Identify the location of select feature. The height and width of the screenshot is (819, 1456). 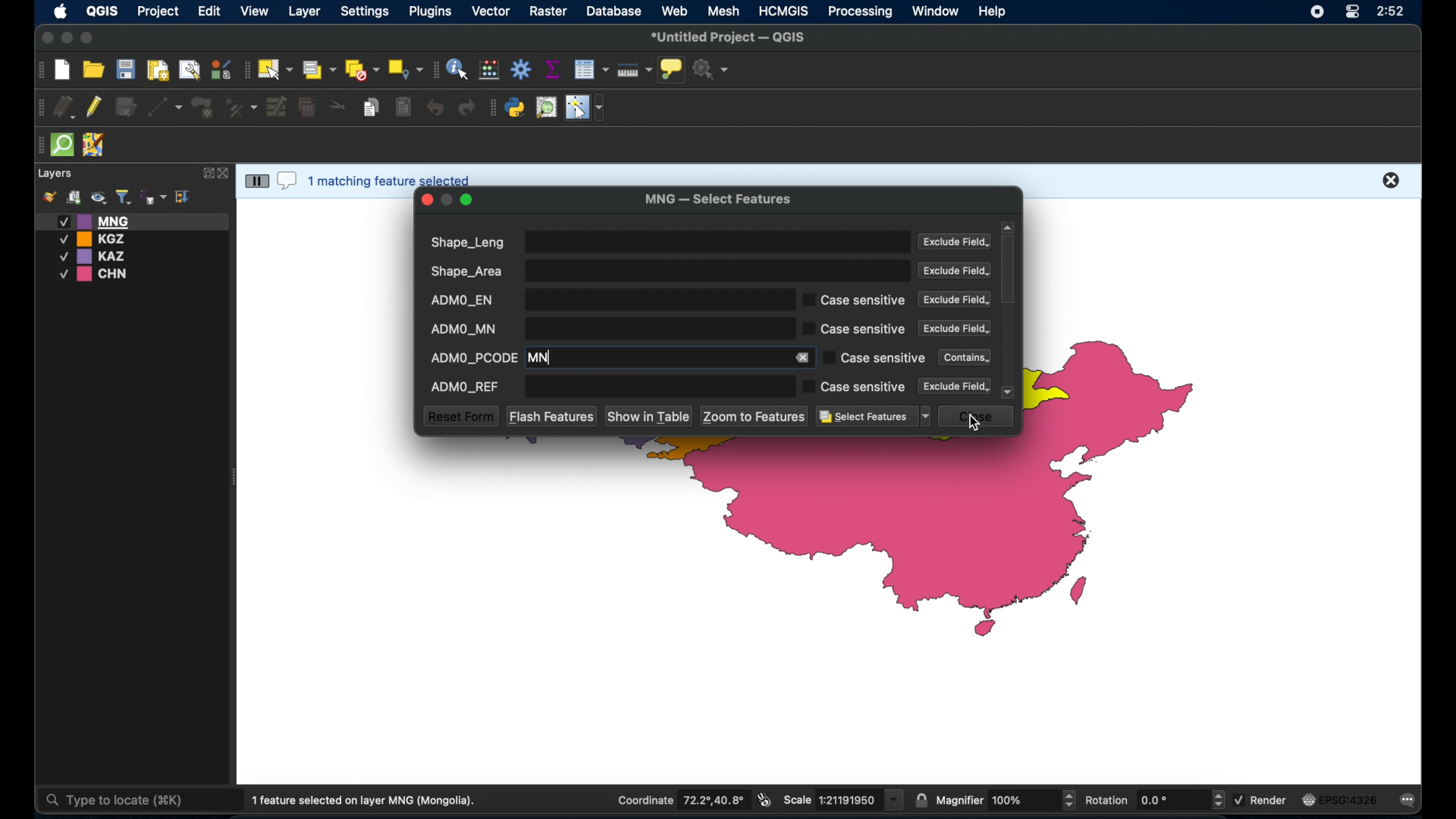
(256, 180).